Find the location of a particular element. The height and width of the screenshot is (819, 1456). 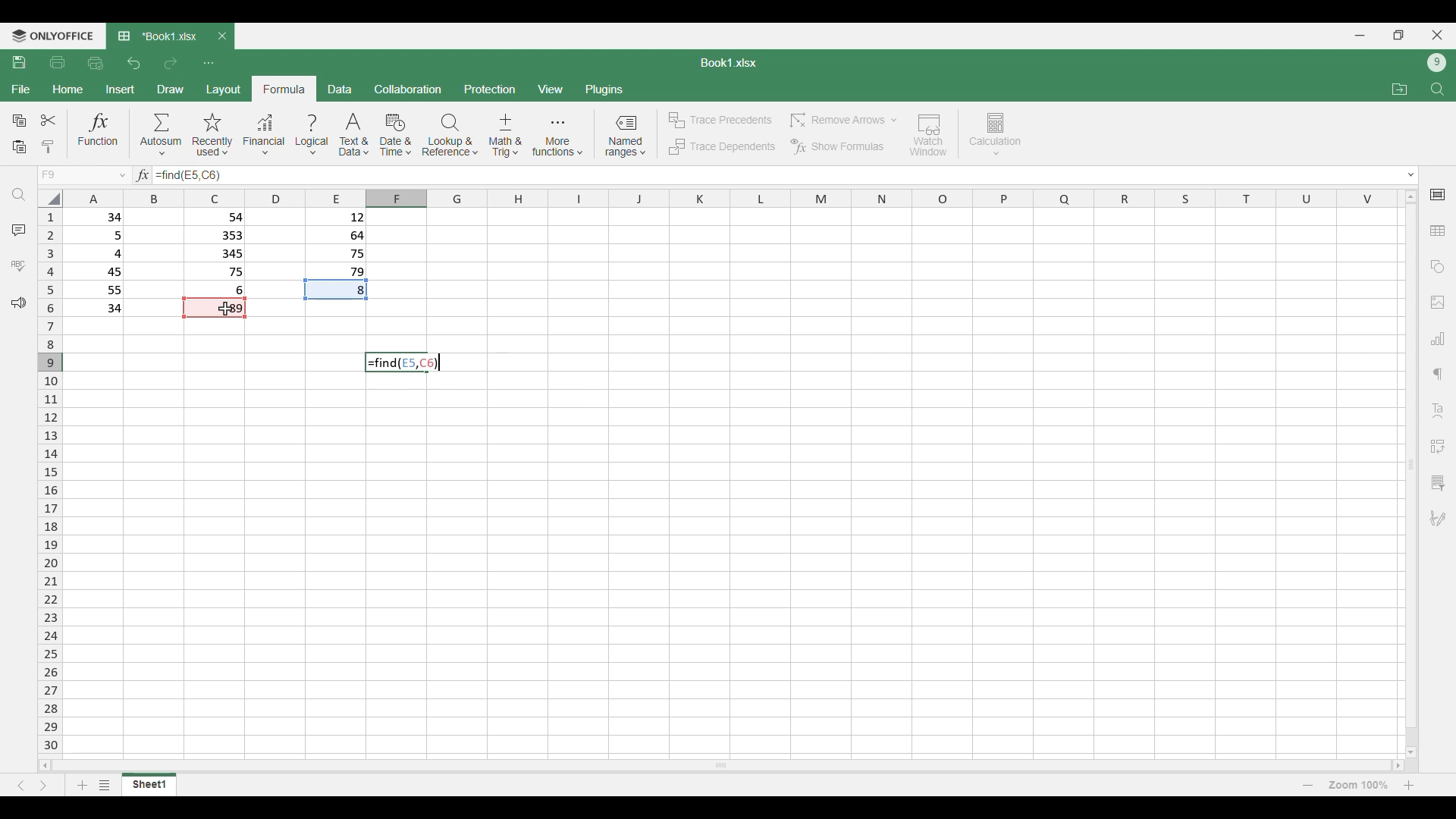

Expand text box is located at coordinates (1412, 175).